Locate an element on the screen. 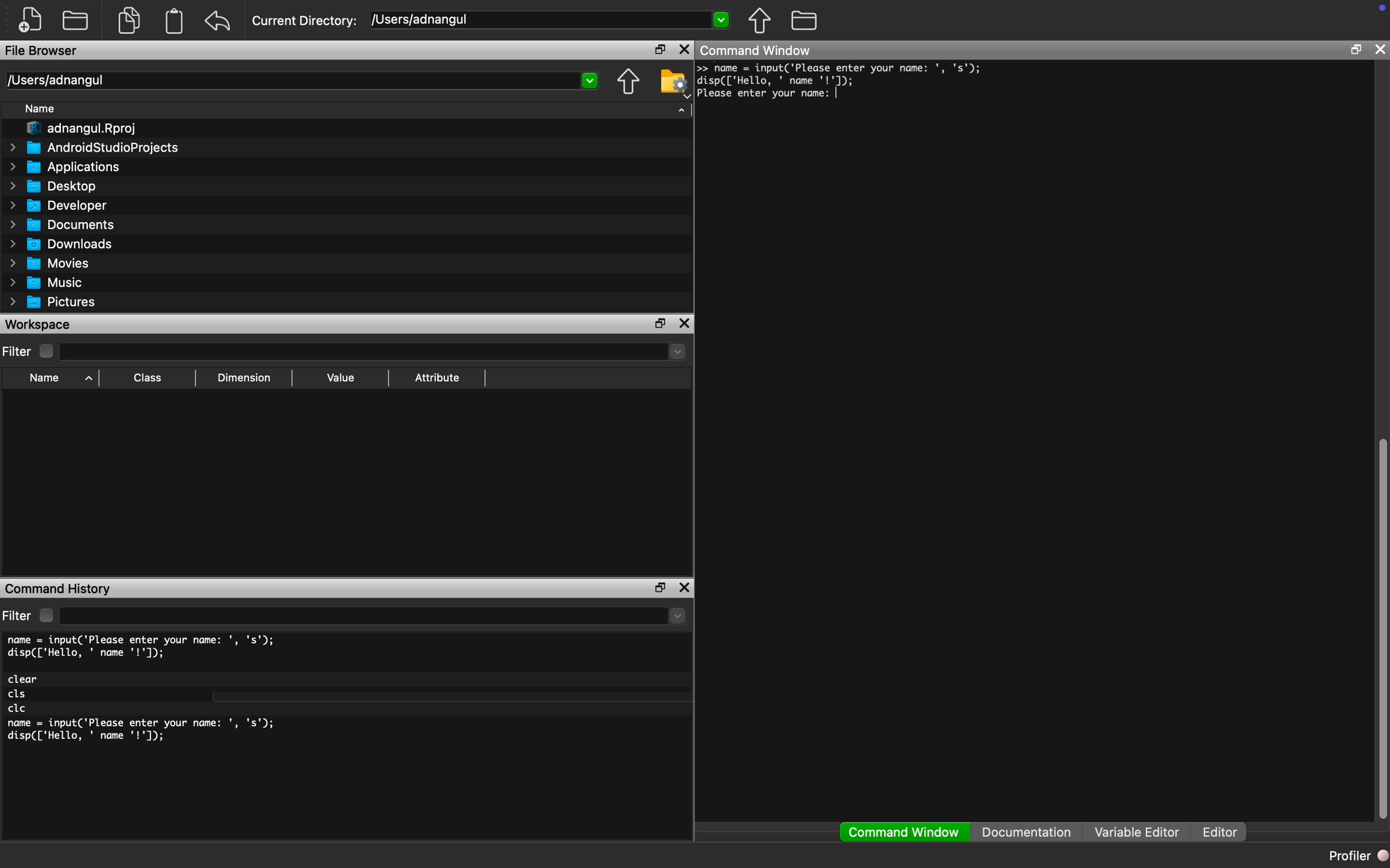 Image resolution: width=1390 pixels, height=868 pixels. Documentation is located at coordinates (1026, 832).